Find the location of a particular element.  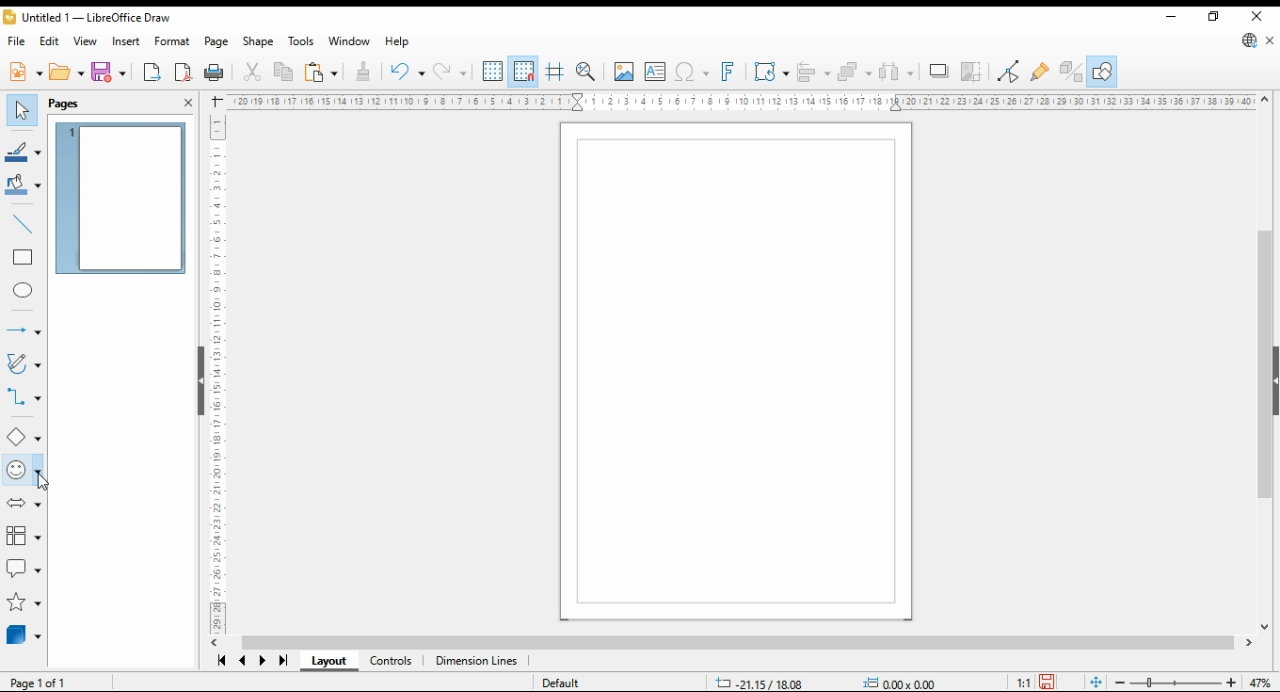

shadow is located at coordinates (938, 71).